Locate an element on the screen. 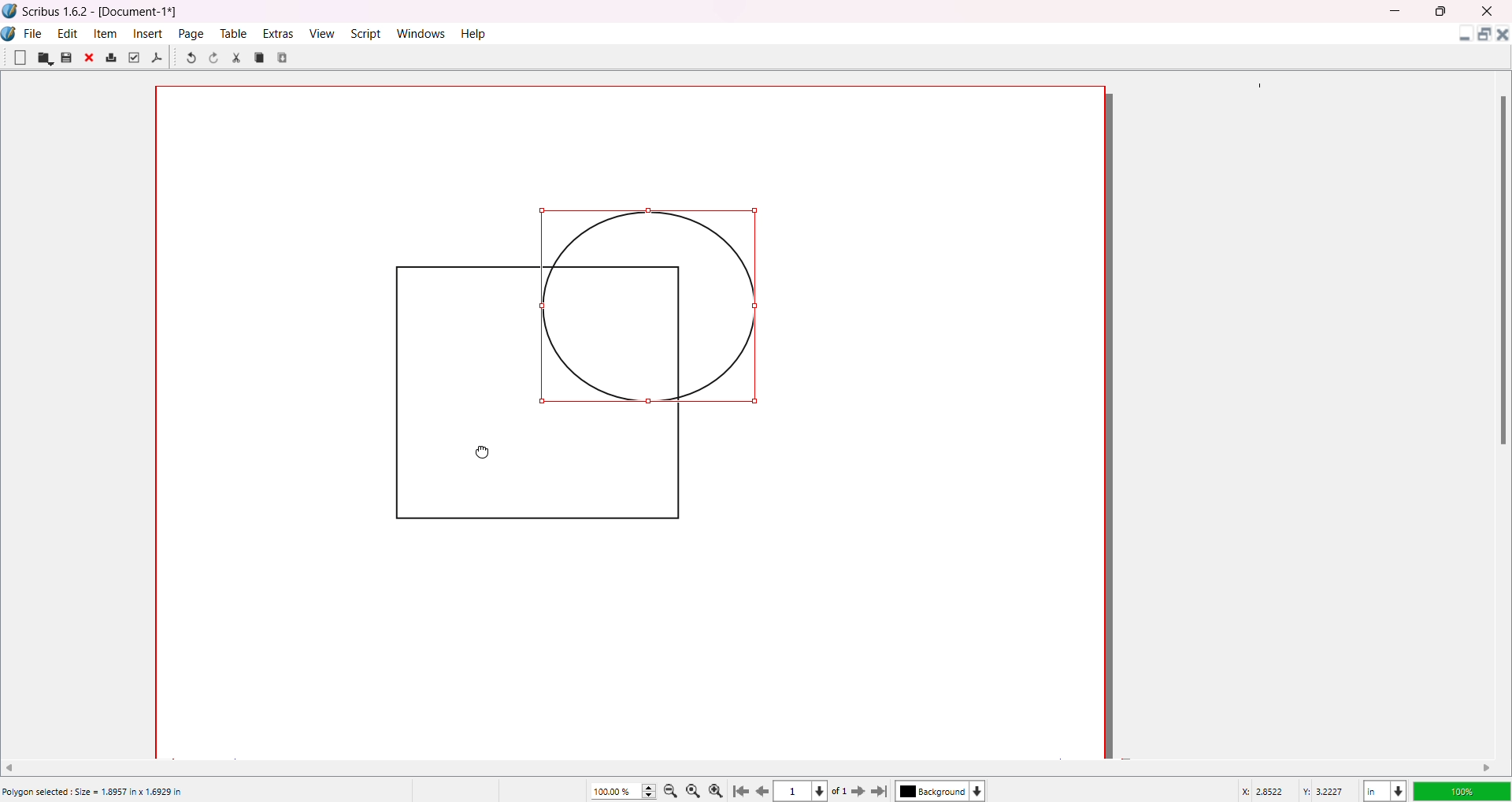  Minimize Document is located at coordinates (1461, 37).